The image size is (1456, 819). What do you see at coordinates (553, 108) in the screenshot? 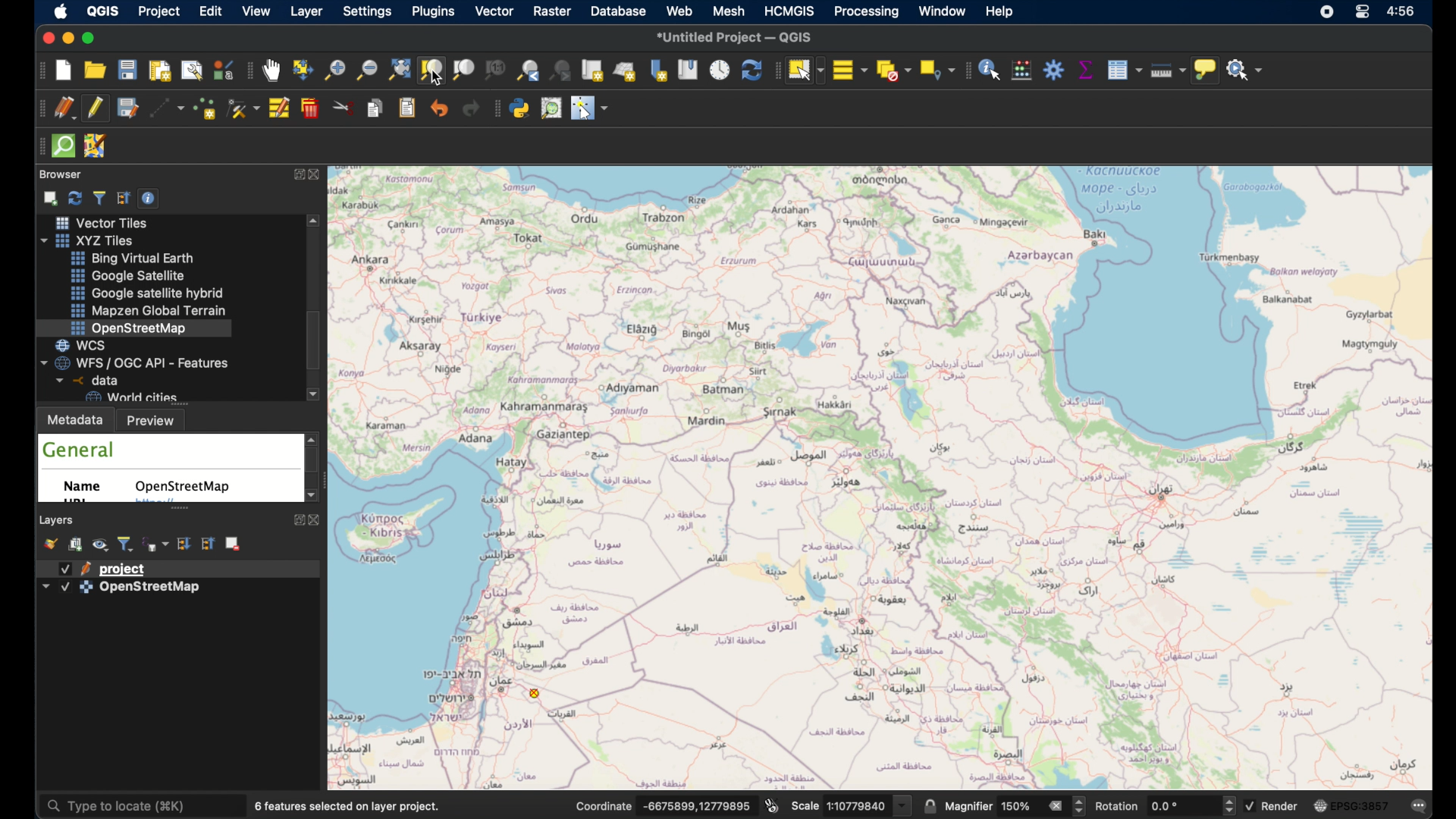
I see `osm place search` at bounding box center [553, 108].